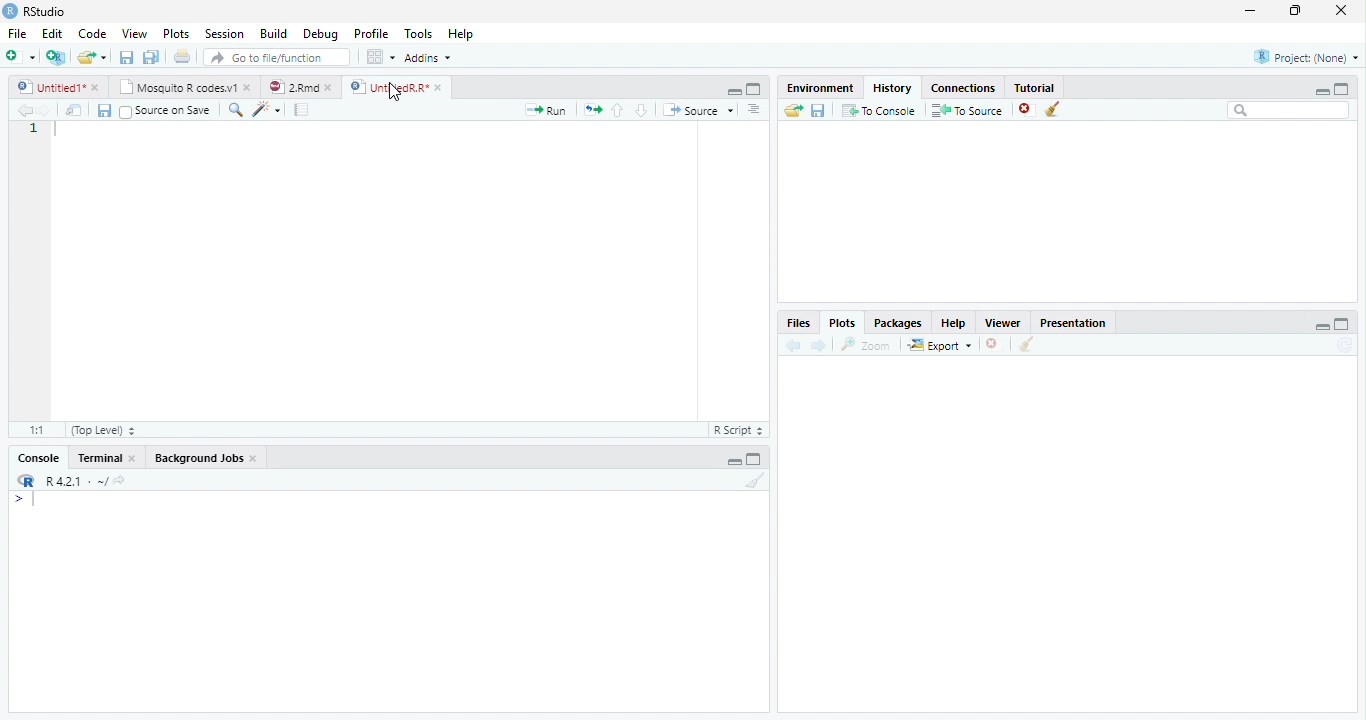  Describe the element at coordinates (387, 87) in the screenshot. I see `UntitledR.R*` at that location.